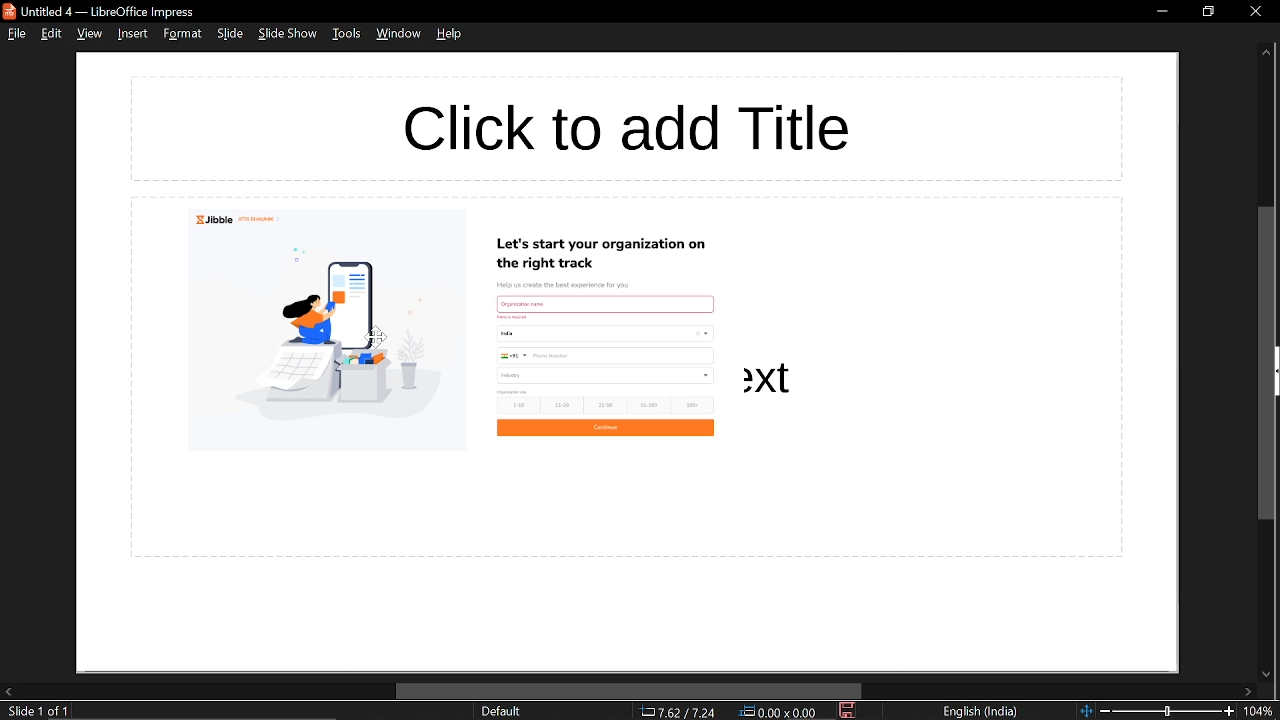 Image resolution: width=1280 pixels, height=720 pixels. What do you see at coordinates (130, 33) in the screenshot?
I see `insert` at bounding box center [130, 33].